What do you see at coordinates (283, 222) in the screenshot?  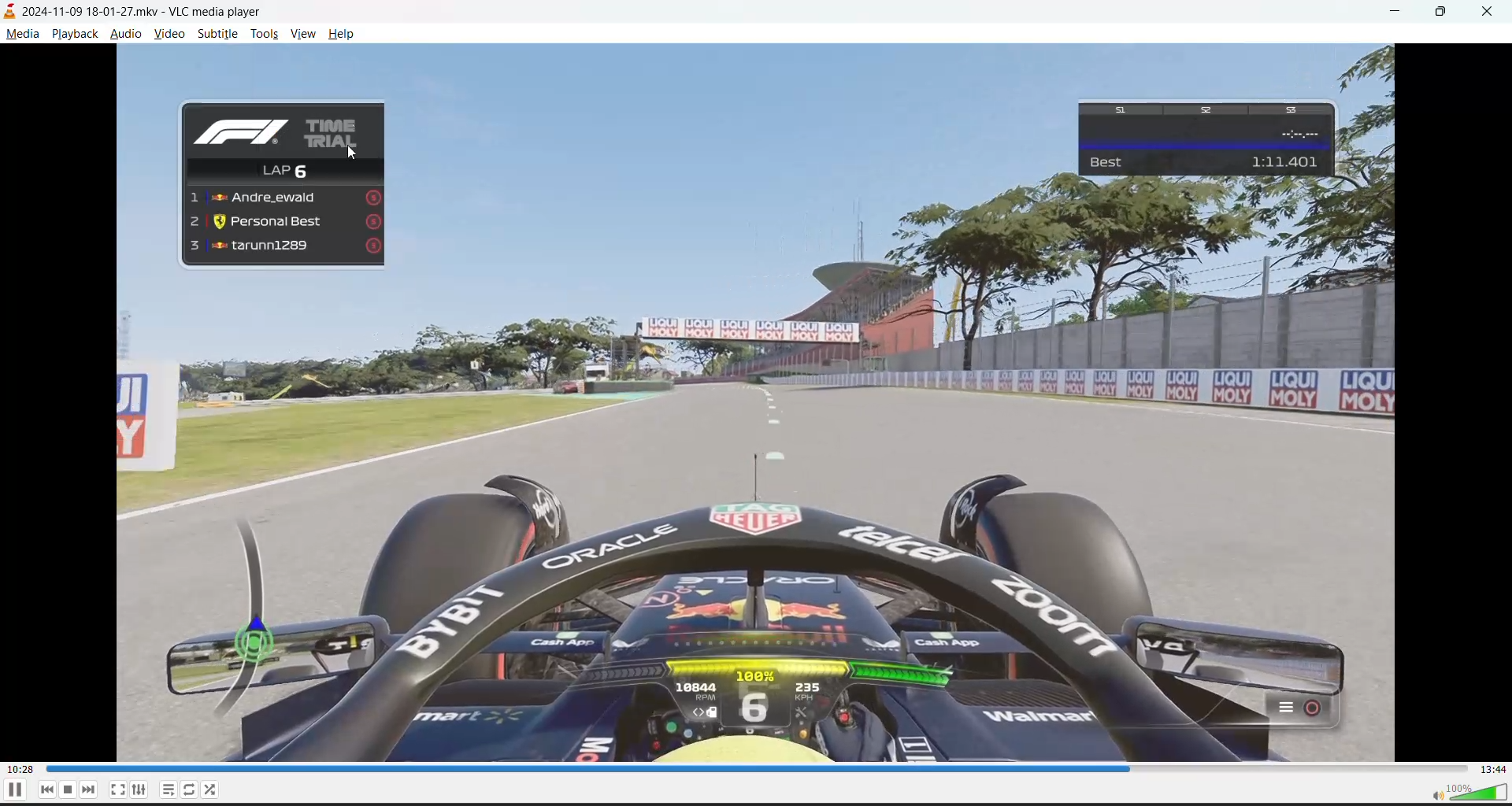 I see `Personal Best` at bounding box center [283, 222].